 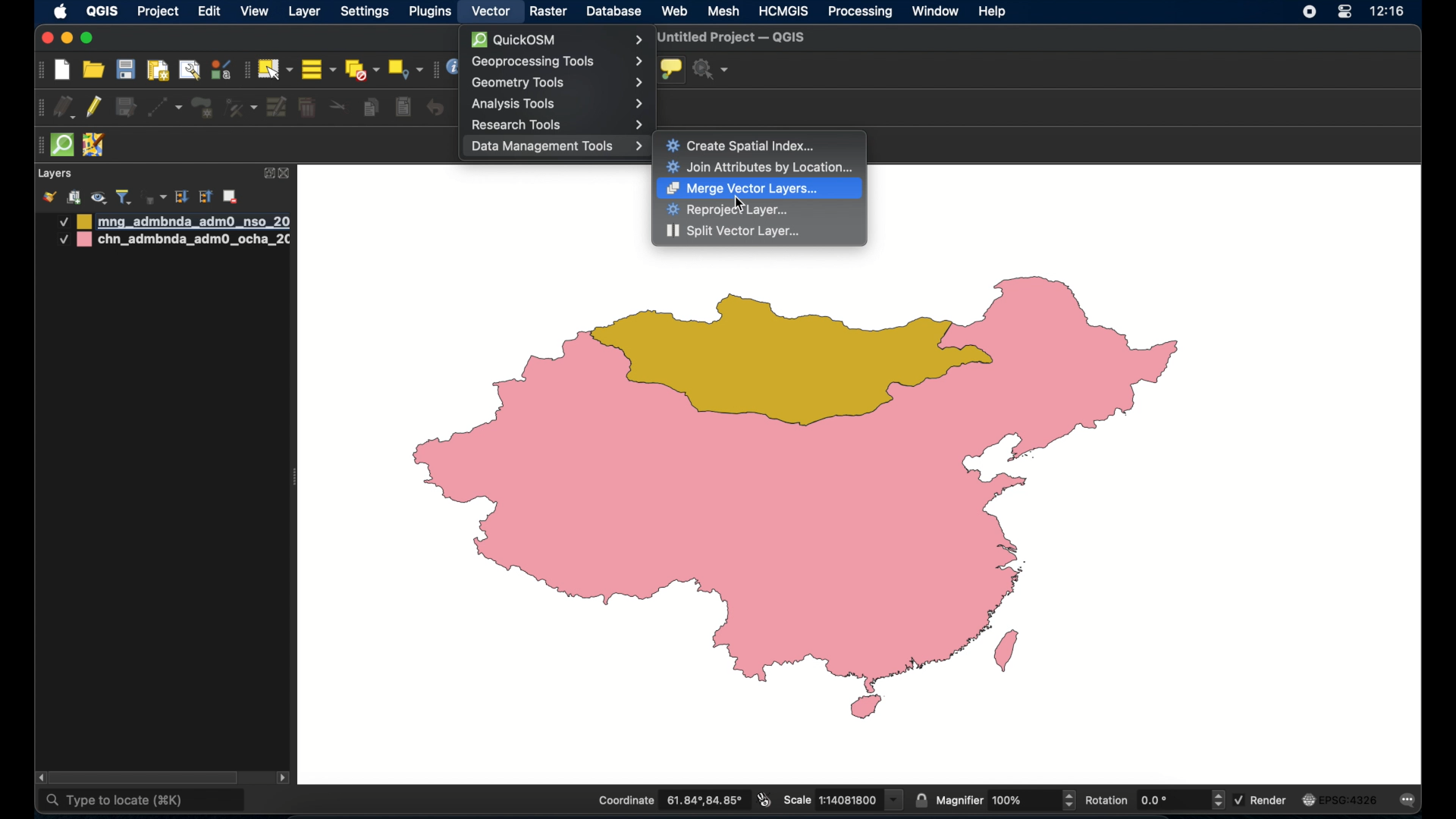 What do you see at coordinates (278, 108) in the screenshot?
I see `modify attributes` at bounding box center [278, 108].